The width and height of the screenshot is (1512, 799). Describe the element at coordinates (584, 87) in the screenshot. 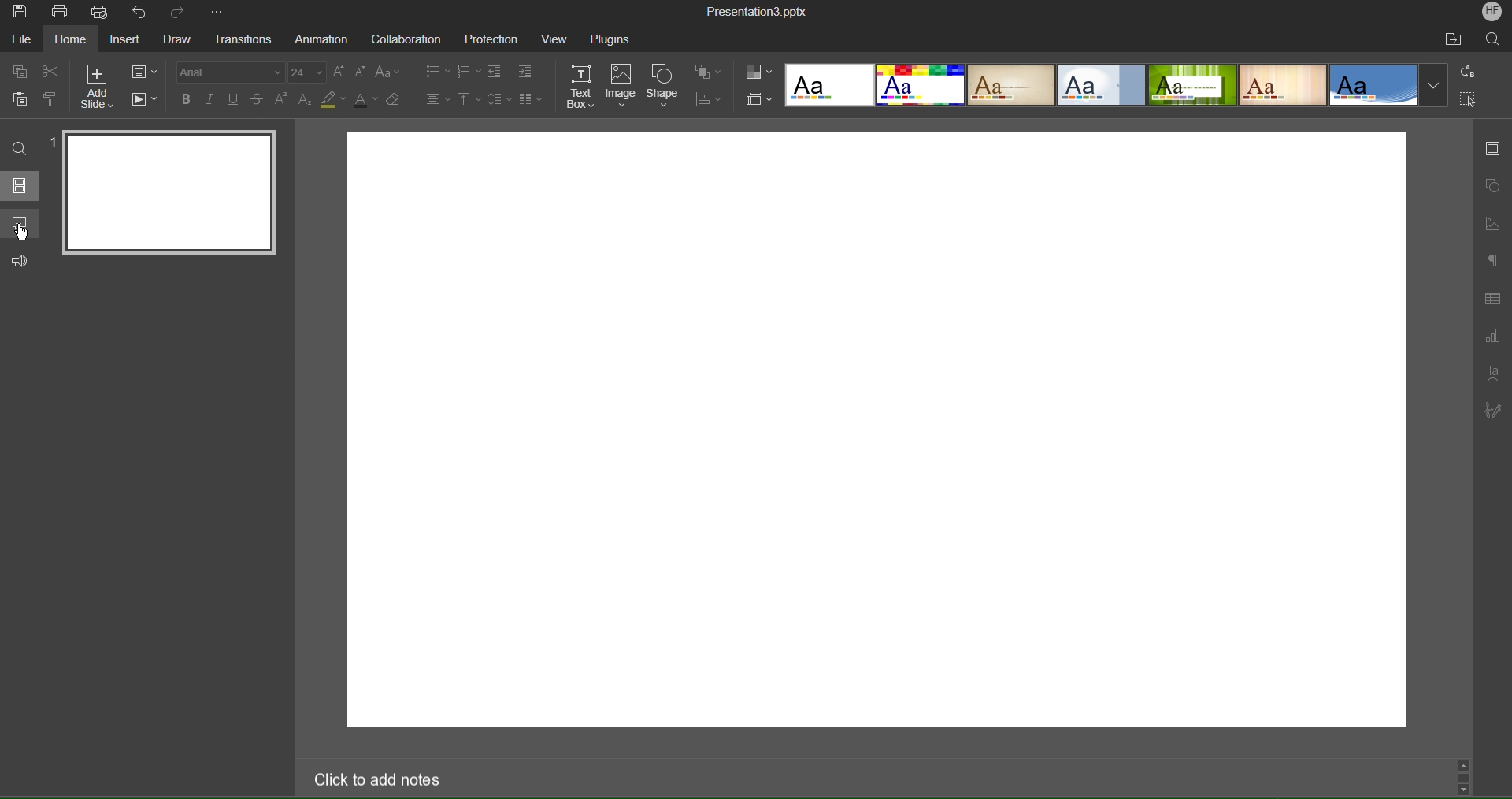

I see `Text Box` at that location.